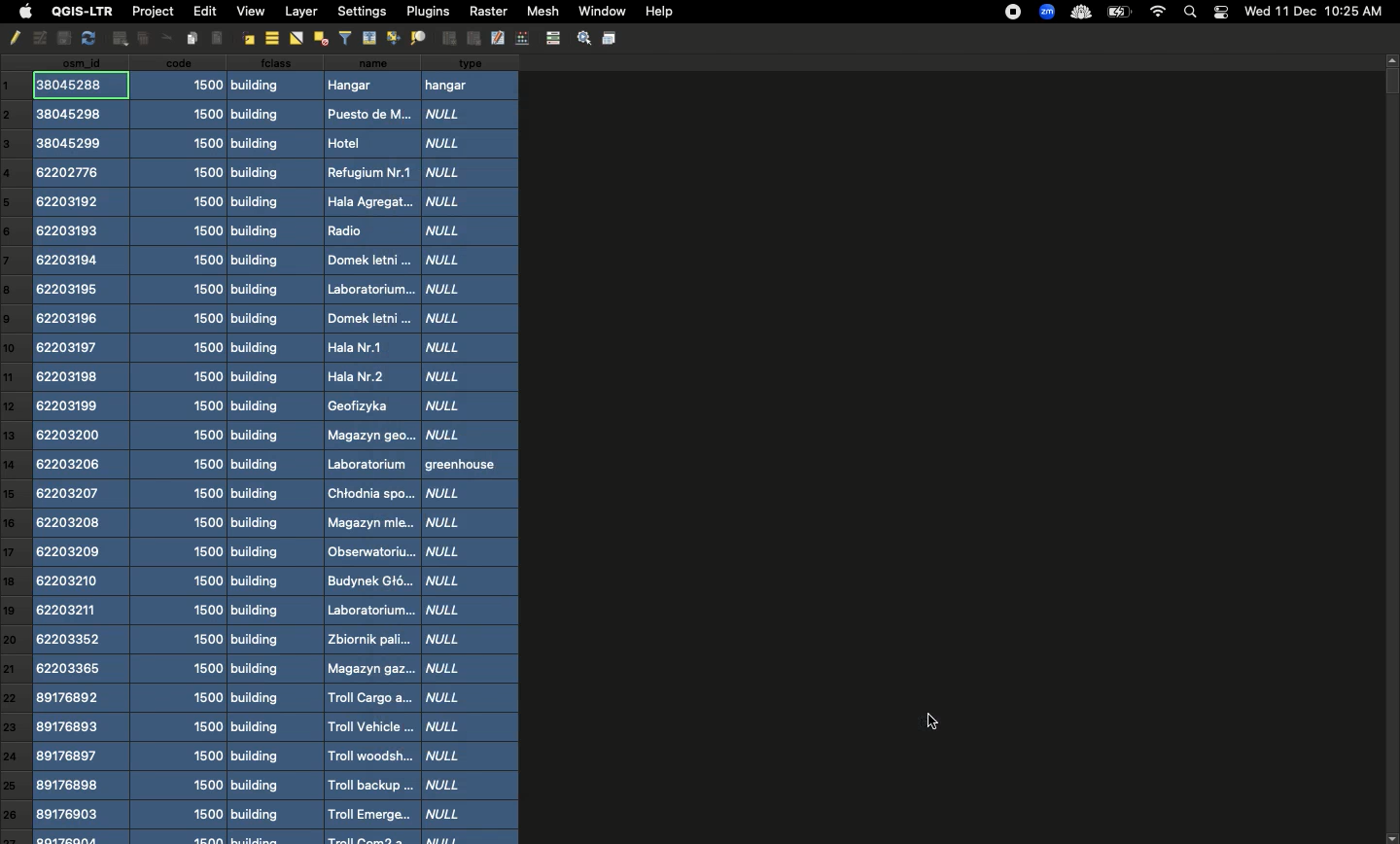 This screenshot has width=1400, height=844. Describe the element at coordinates (202, 11) in the screenshot. I see `Edit` at that location.